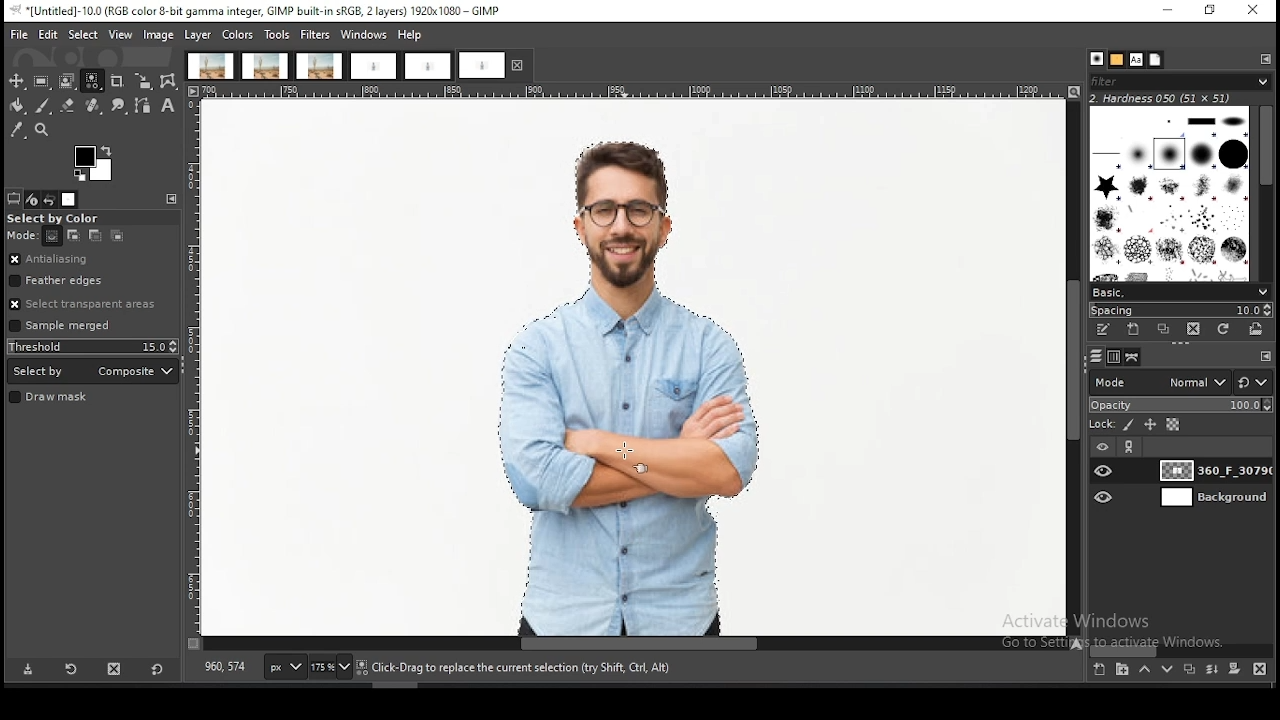  I want to click on delete brush, so click(1194, 330).